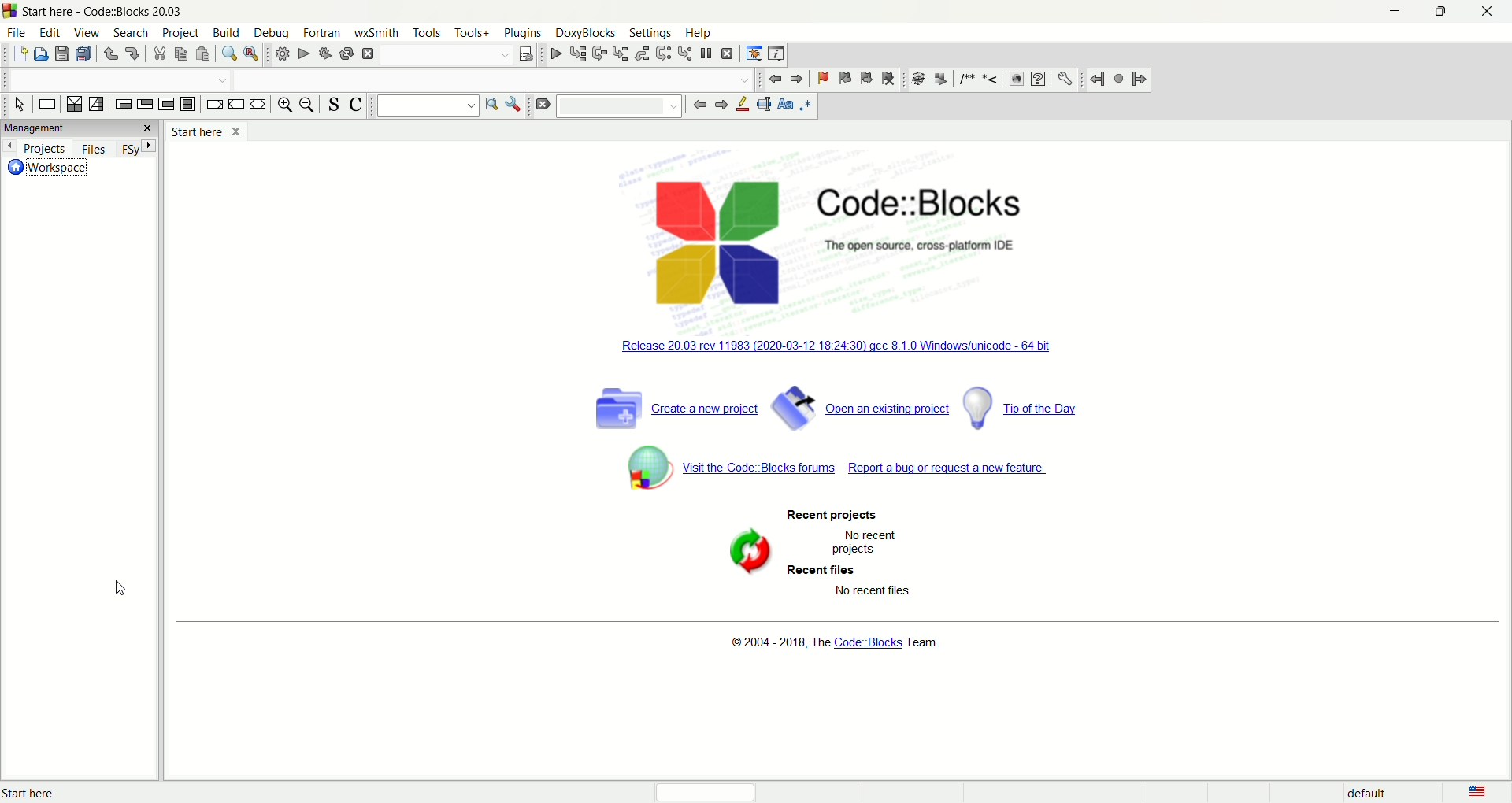 This screenshot has height=803, width=1512. Describe the element at coordinates (706, 241) in the screenshot. I see `logo` at that location.